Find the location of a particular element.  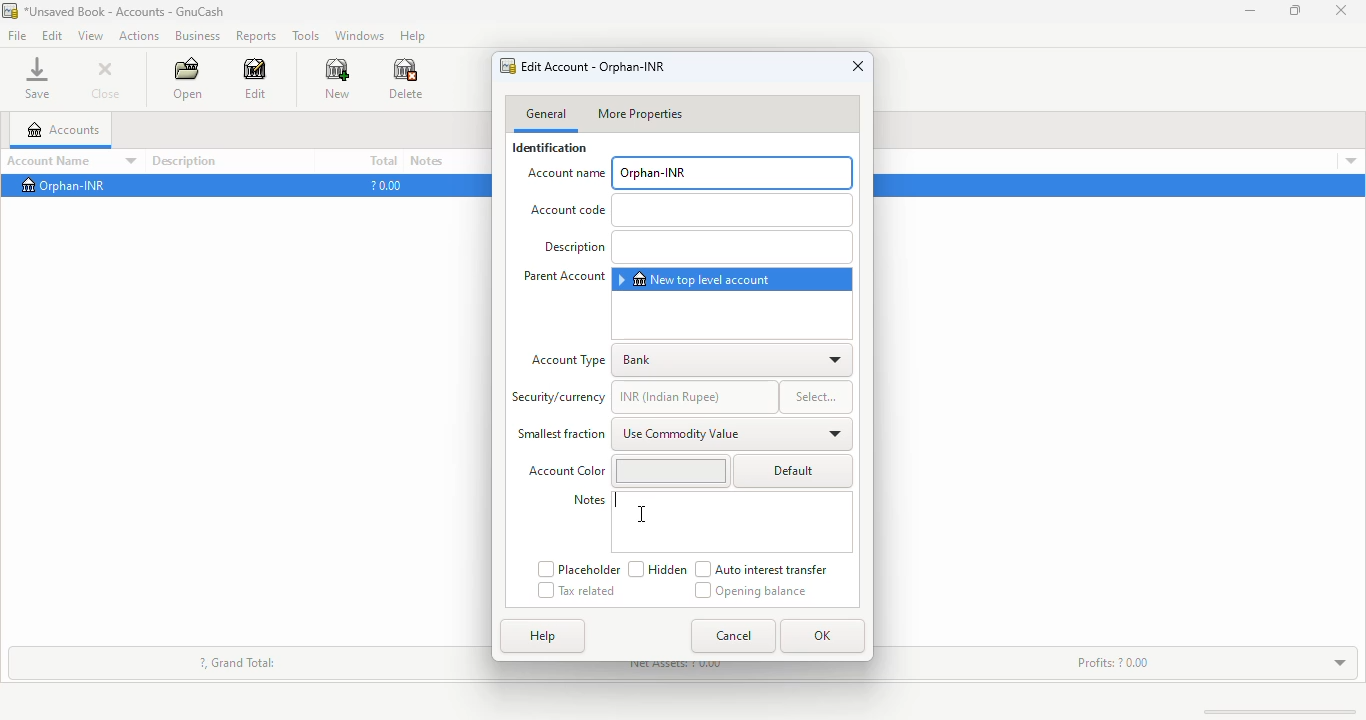

account name is located at coordinates (73, 161).